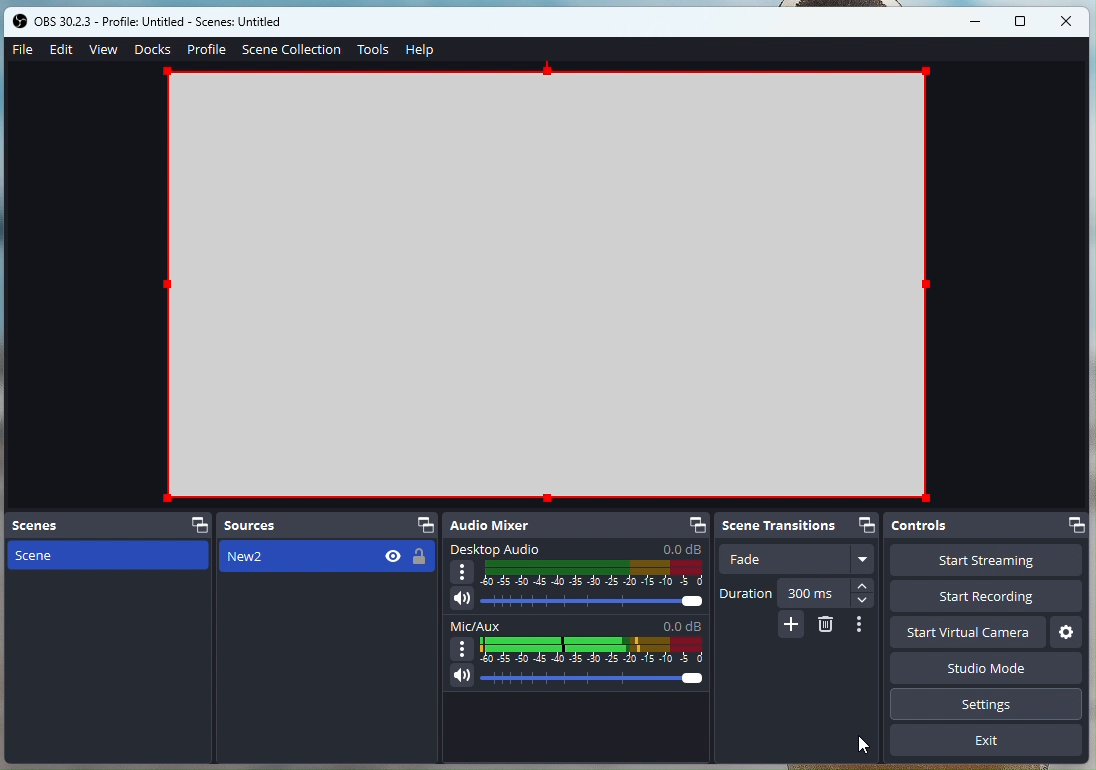 This screenshot has height=770, width=1096. I want to click on Tools, so click(376, 49).